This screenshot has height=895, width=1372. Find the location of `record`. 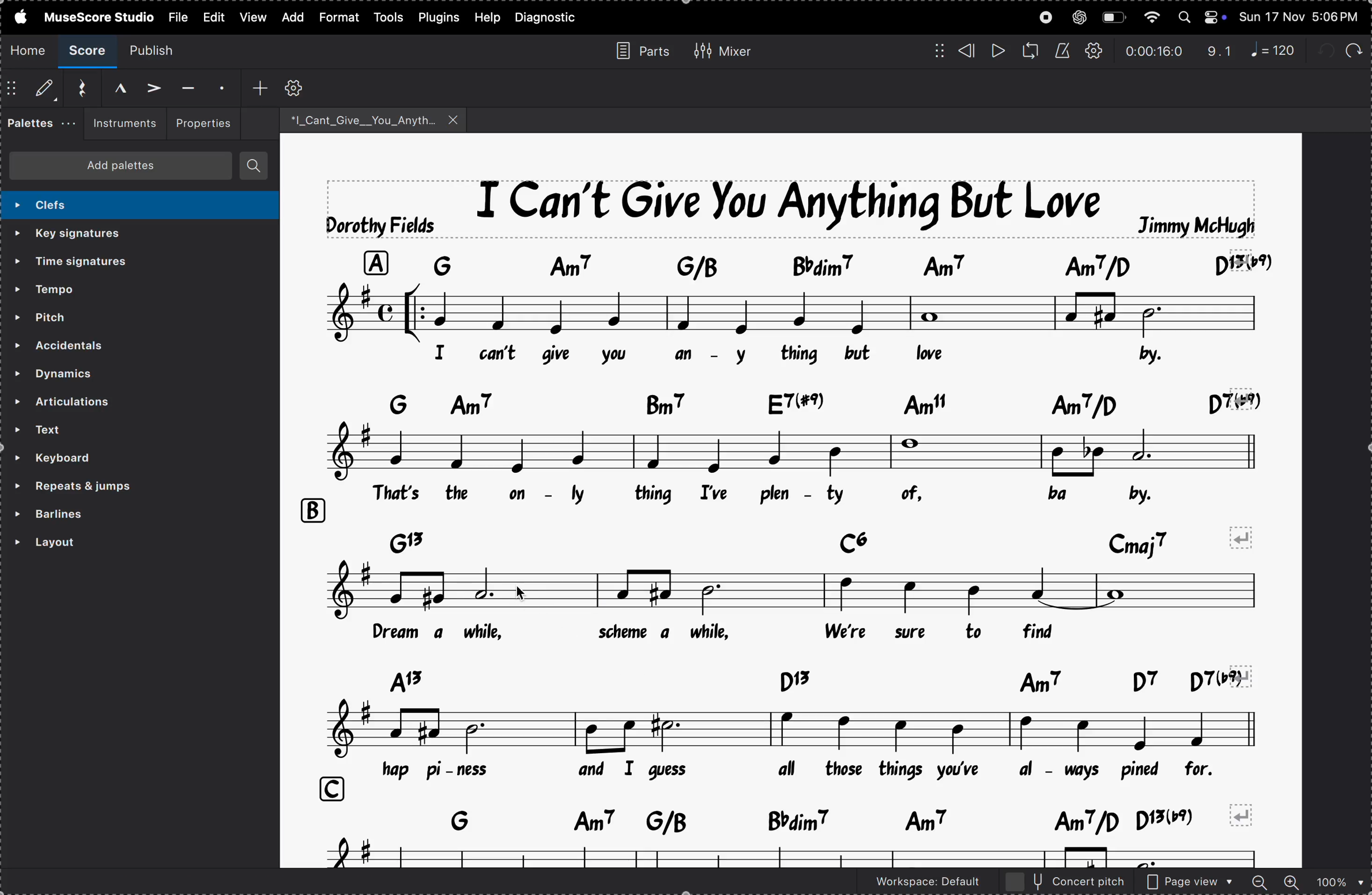

record is located at coordinates (1046, 17).